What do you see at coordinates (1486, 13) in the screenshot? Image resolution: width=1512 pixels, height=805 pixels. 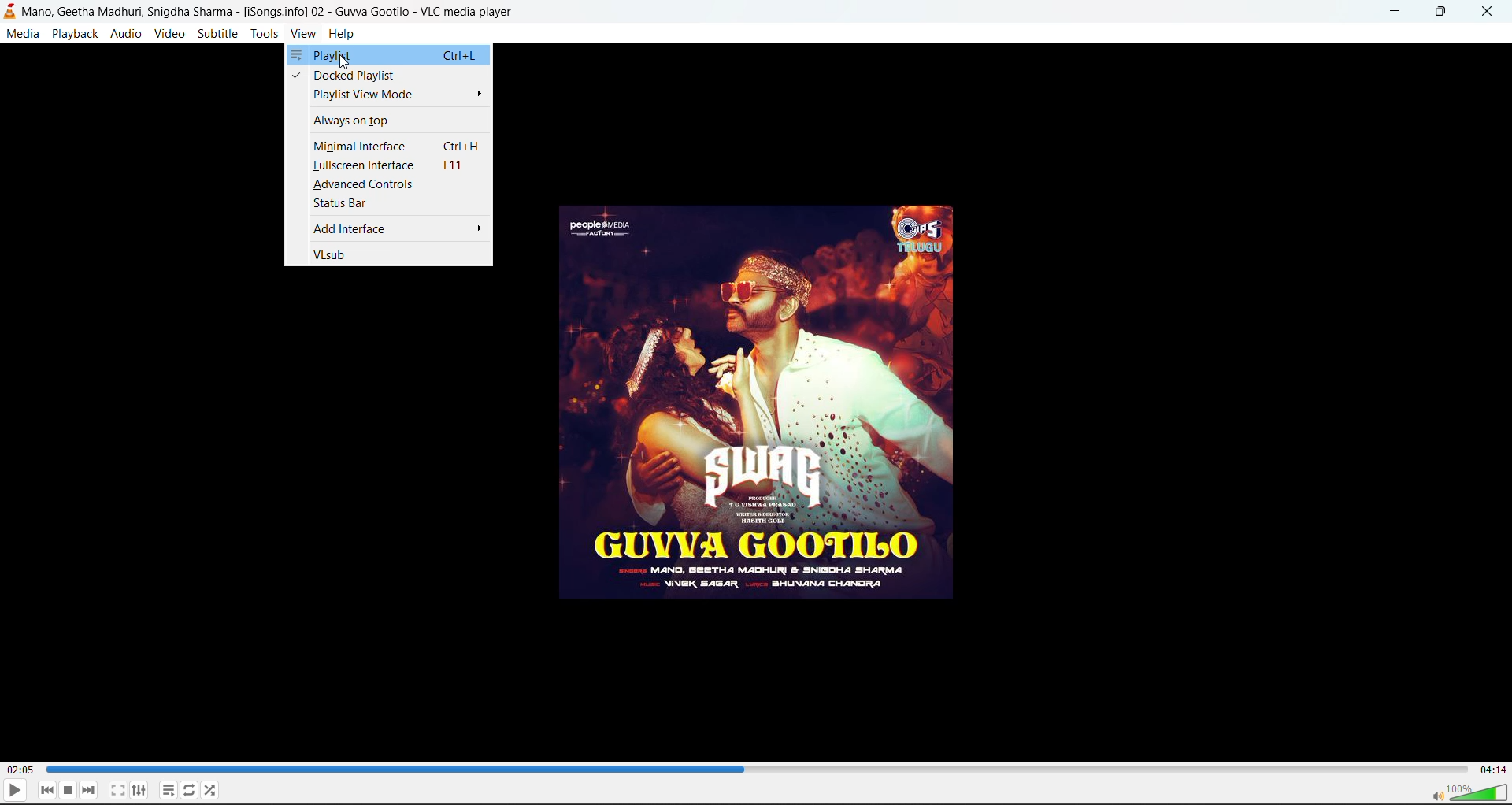 I see `close` at bounding box center [1486, 13].